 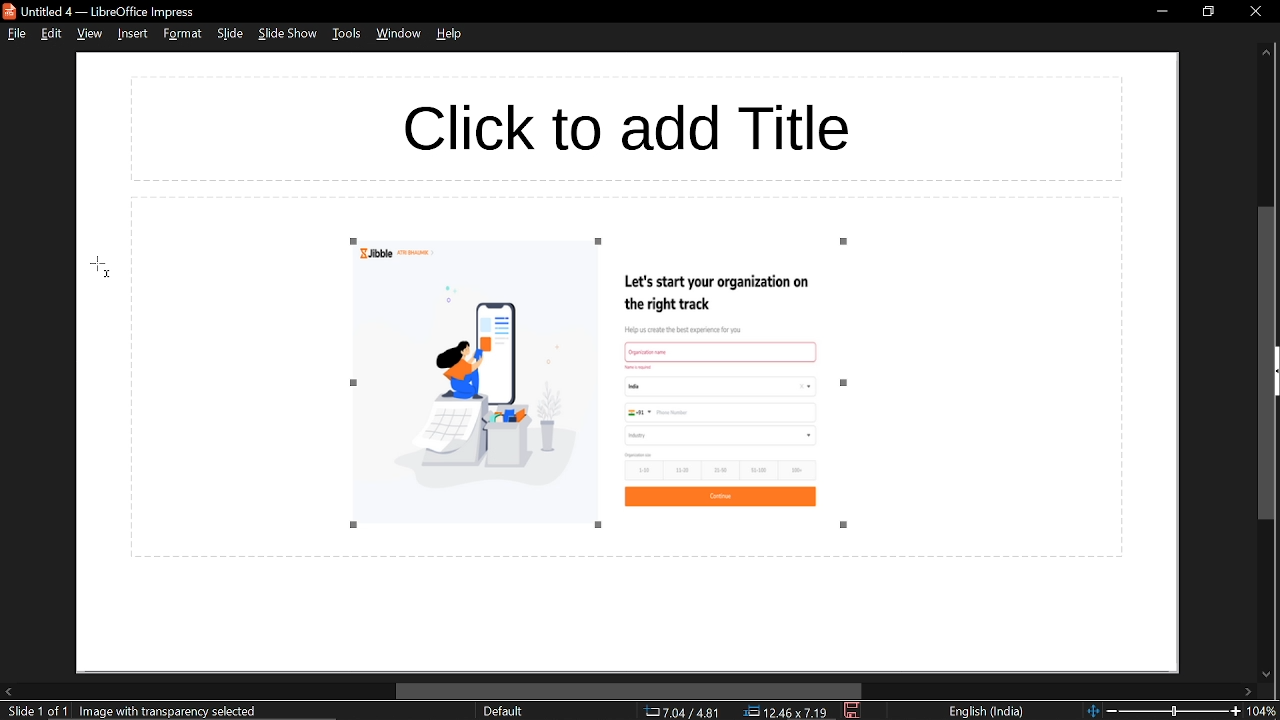 What do you see at coordinates (173, 711) in the screenshot?
I see `selected image` at bounding box center [173, 711].